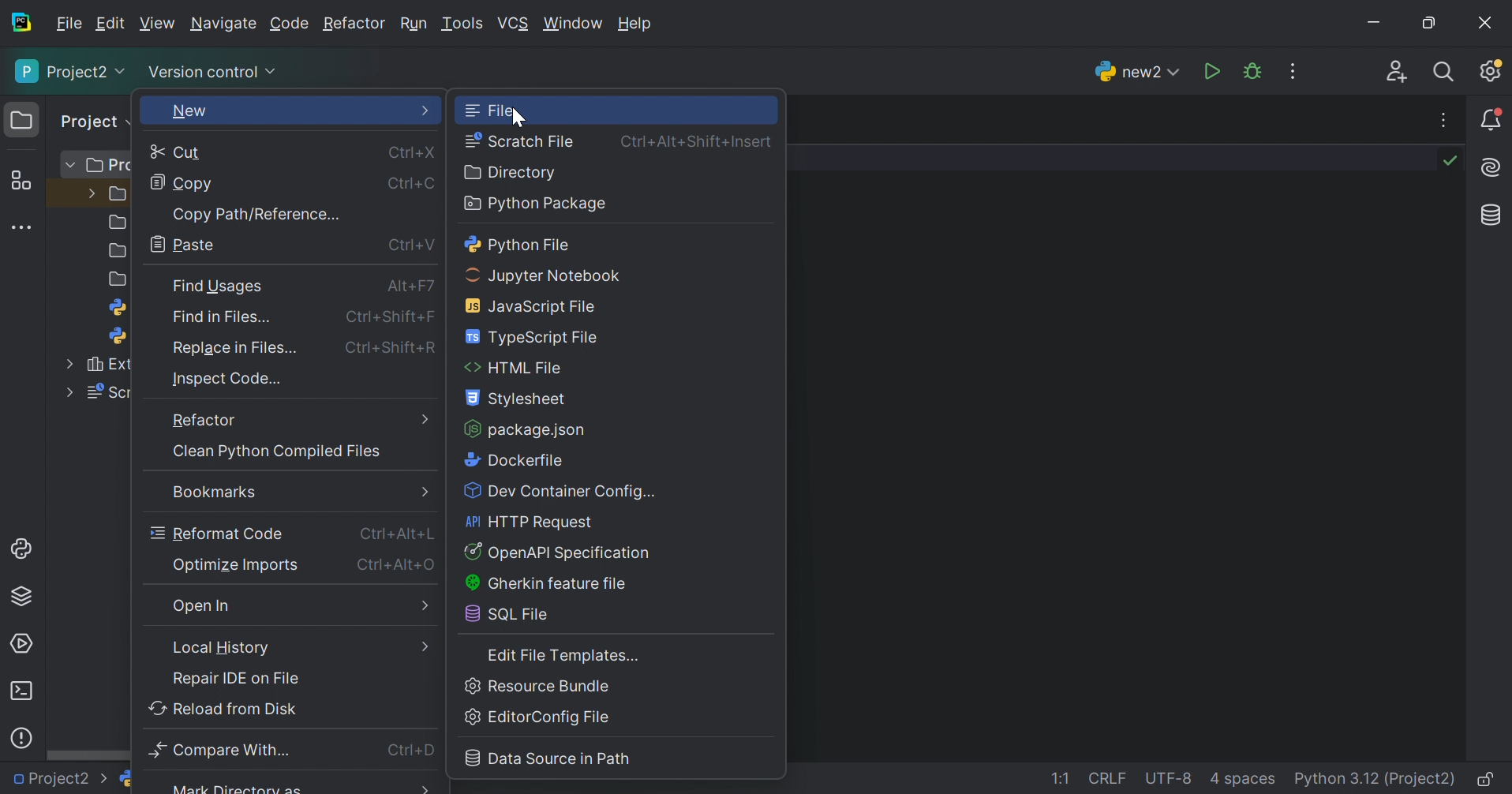  Describe the element at coordinates (542, 718) in the screenshot. I see `Editor config file` at that location.